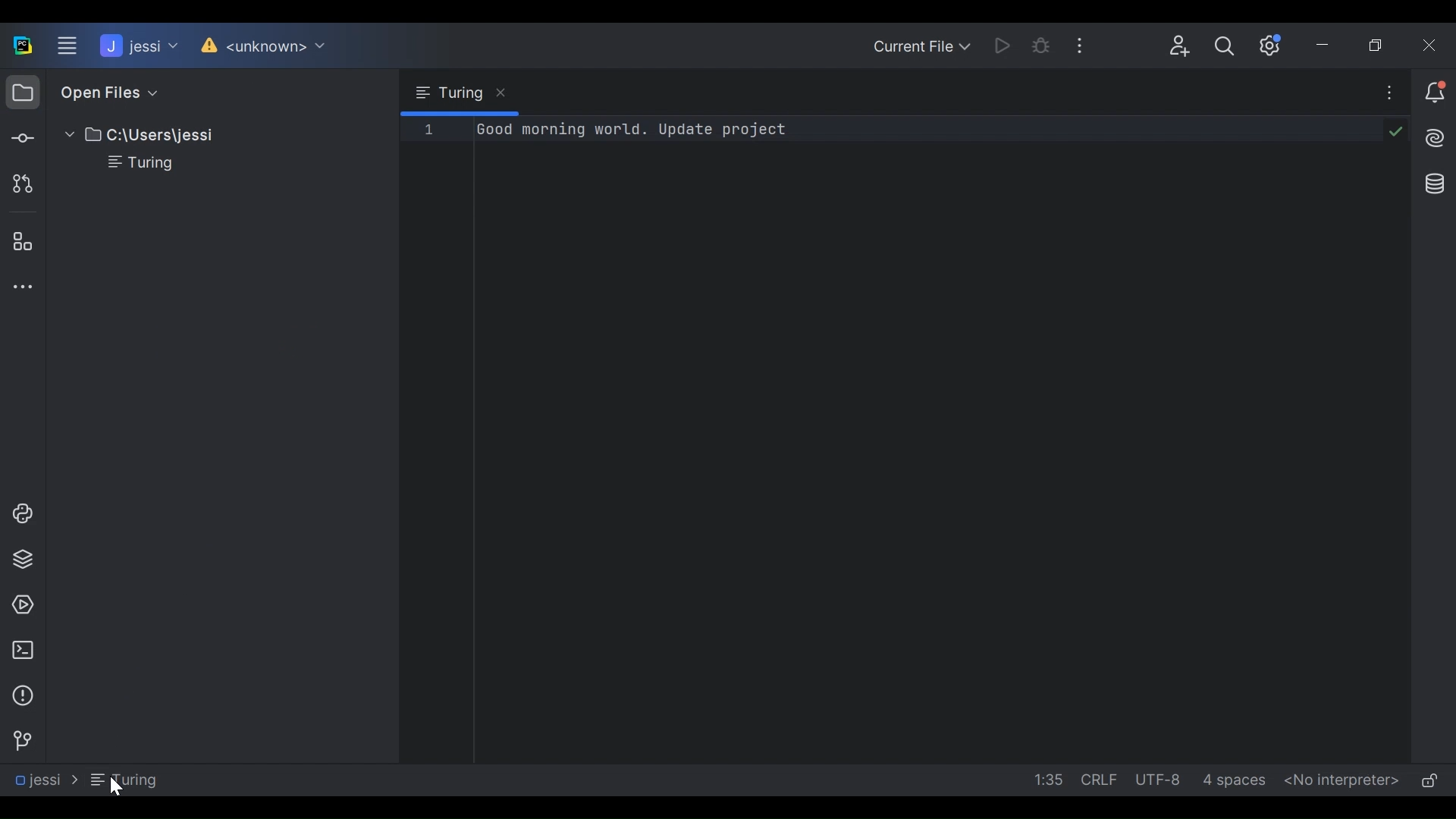  What do you see at coordinates (20, 651) in the screenshot?
I see `Terminal` at bounding box center [20, 651].